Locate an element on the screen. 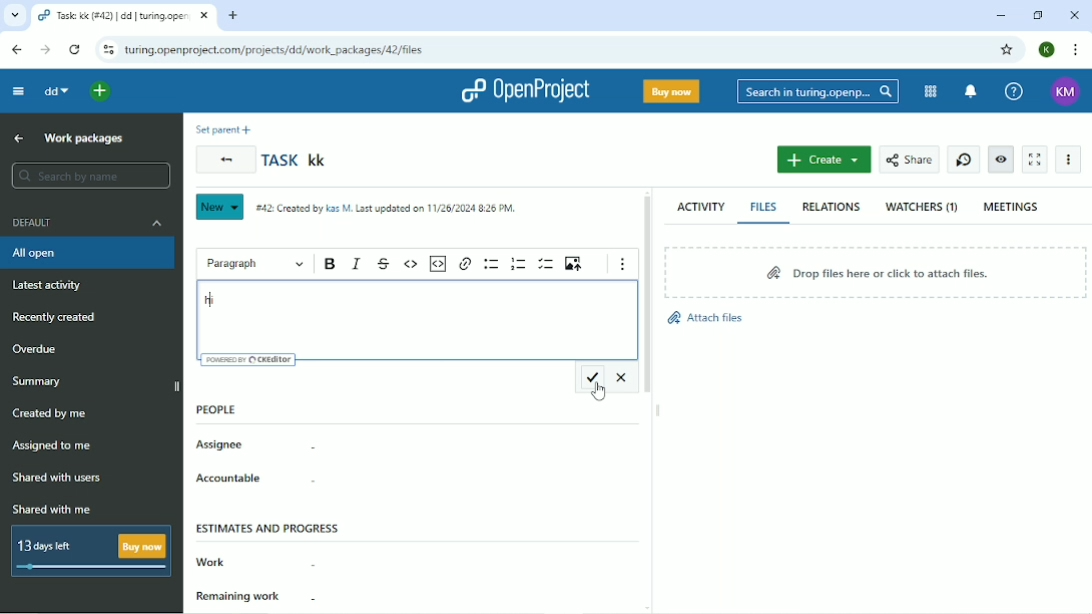 Image resolution: width=1092 pixels, height=614 pixels. hi is located at coordinates (214, 300).